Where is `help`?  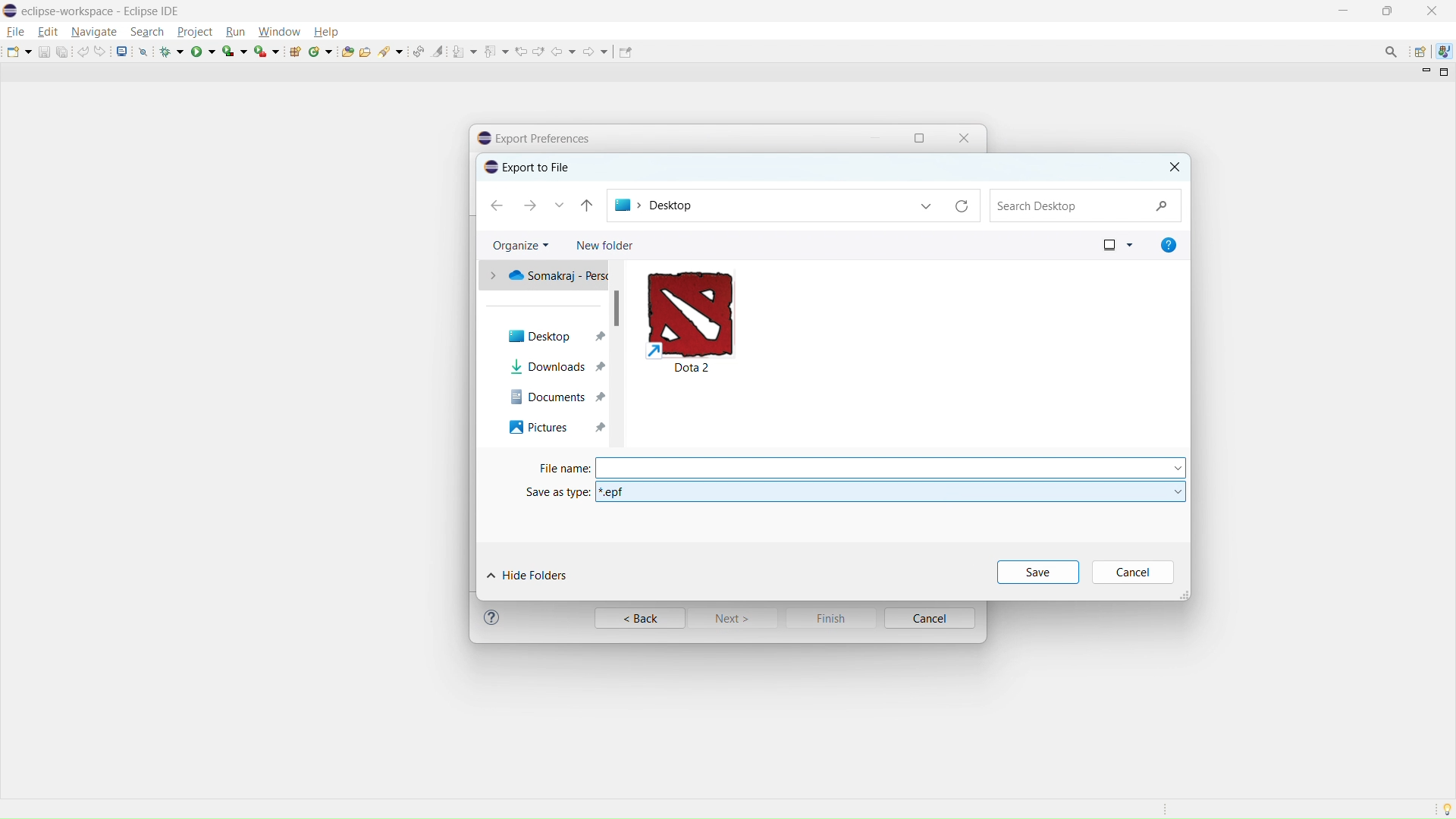
help is located at coordinates (325, 31).